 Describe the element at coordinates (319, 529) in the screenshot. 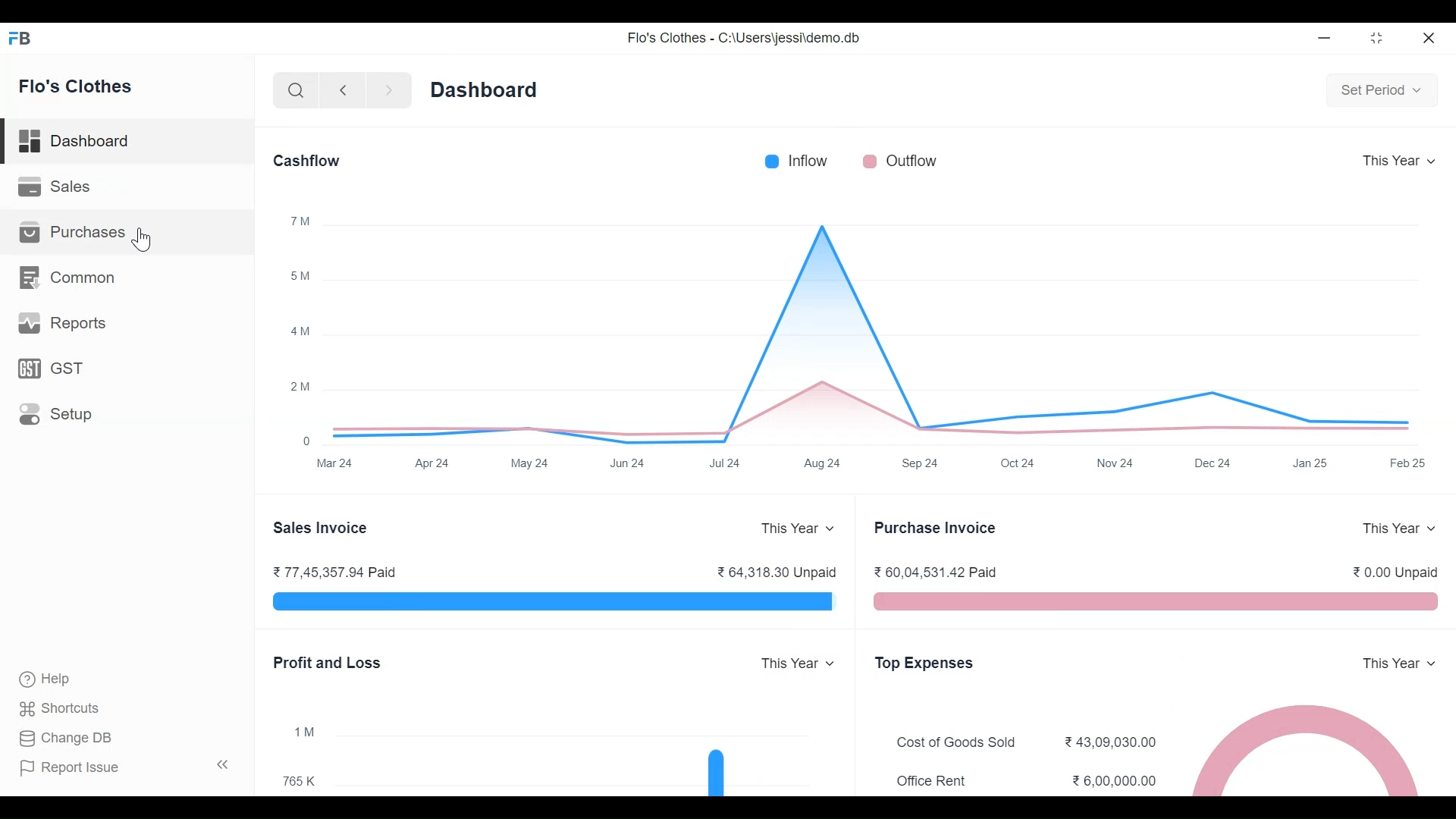

I see `Sales Invoice` at that location.